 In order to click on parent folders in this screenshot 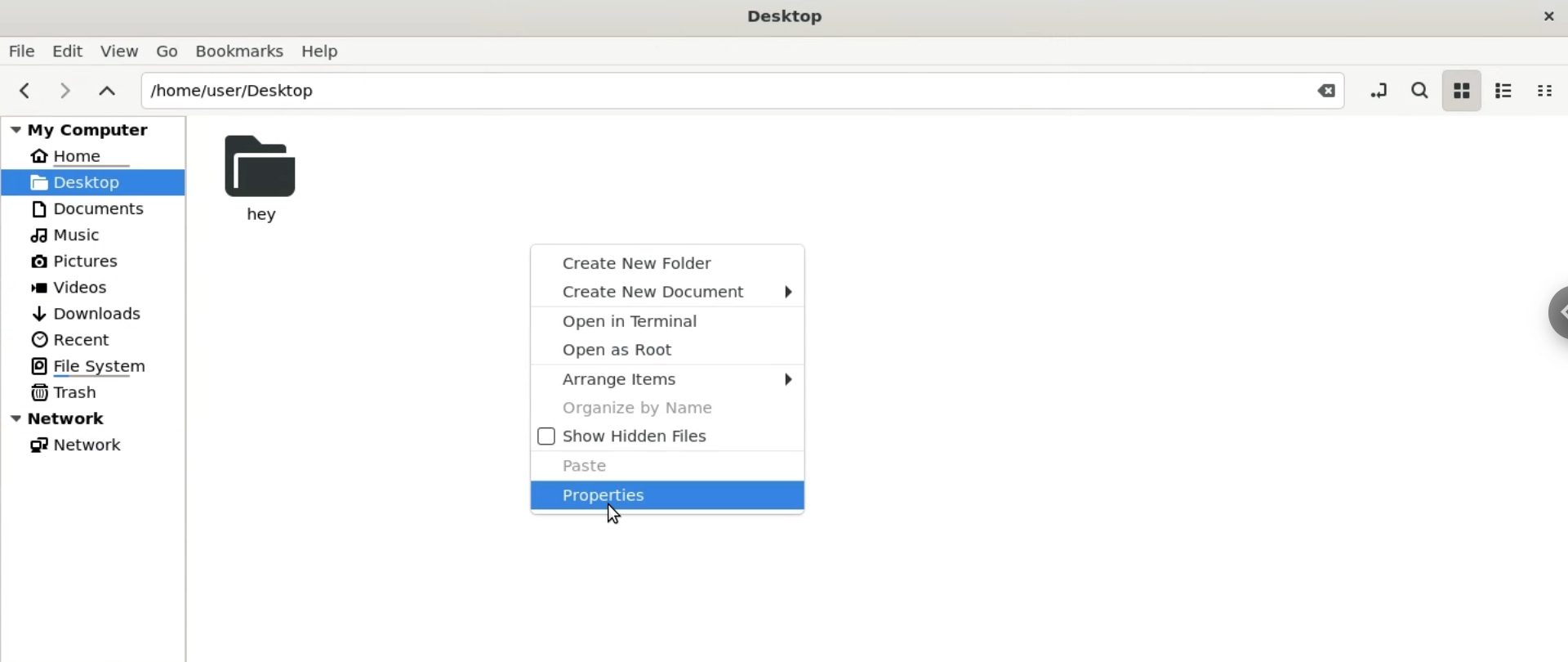, I will do `click(111, 92)`.